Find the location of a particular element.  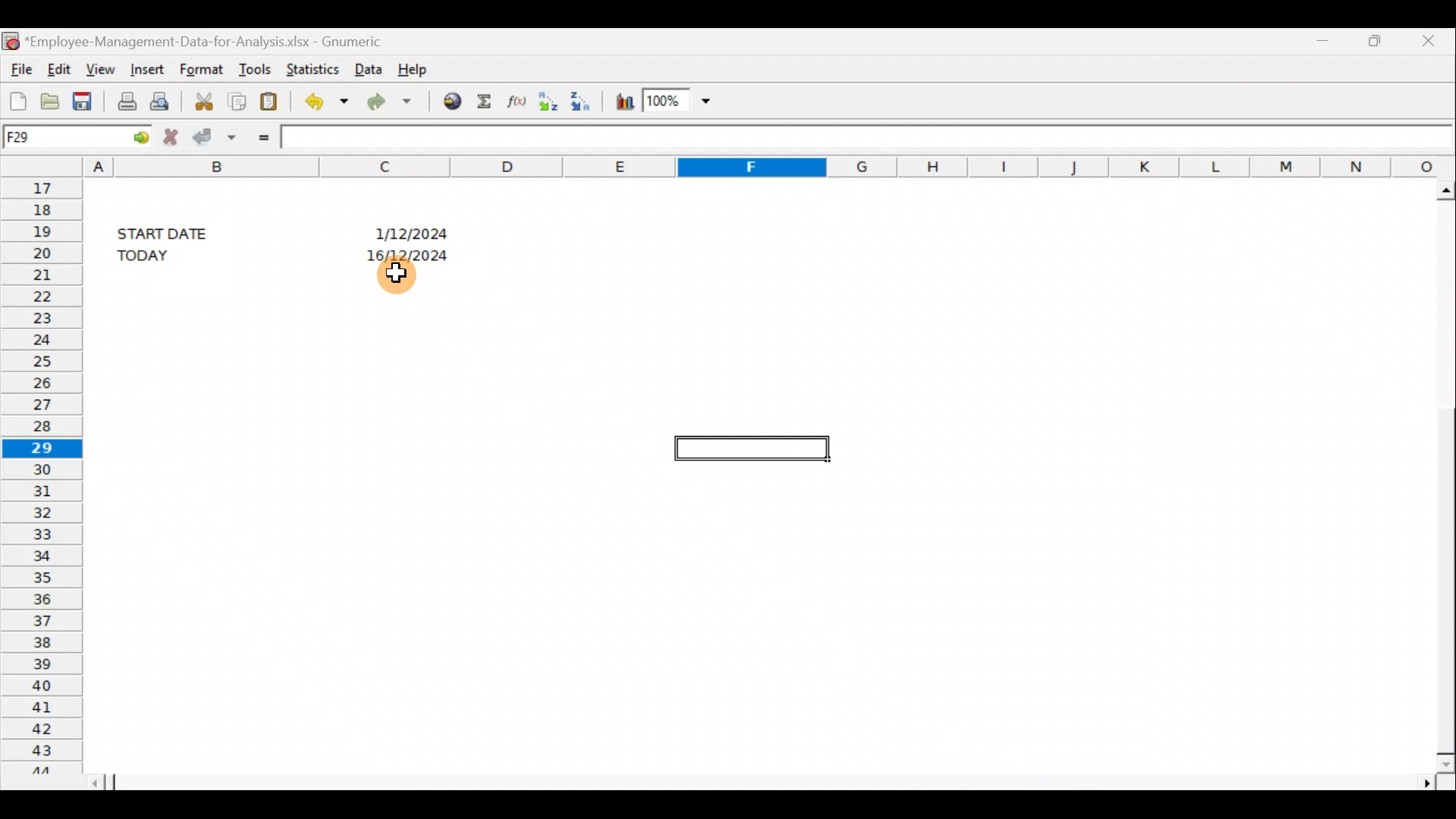

Cut the selection is located at coordinates (204, 99).